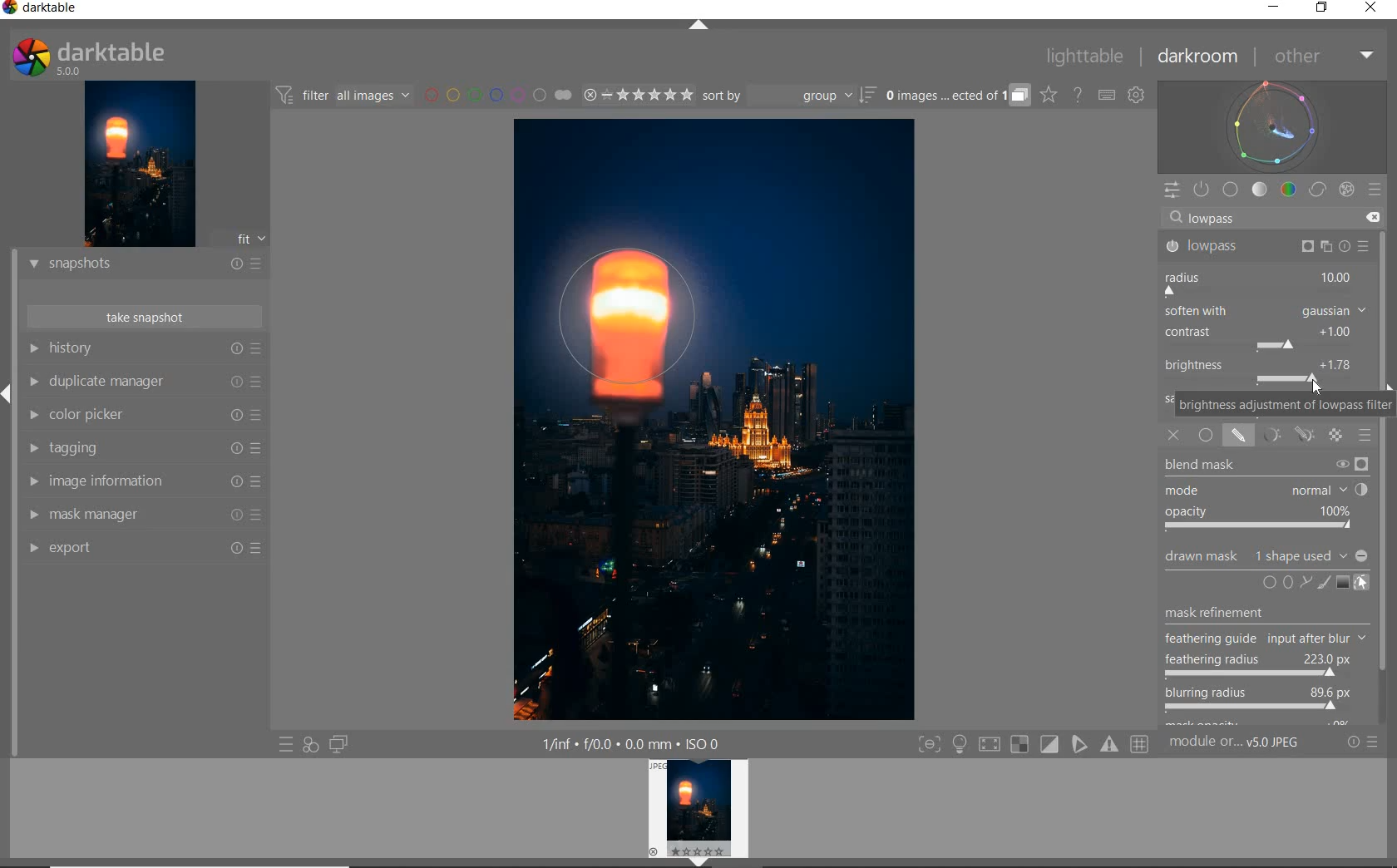 The image size is (1397, 868). I want to click on a glowing effect for highlights added, so click(629, 323).